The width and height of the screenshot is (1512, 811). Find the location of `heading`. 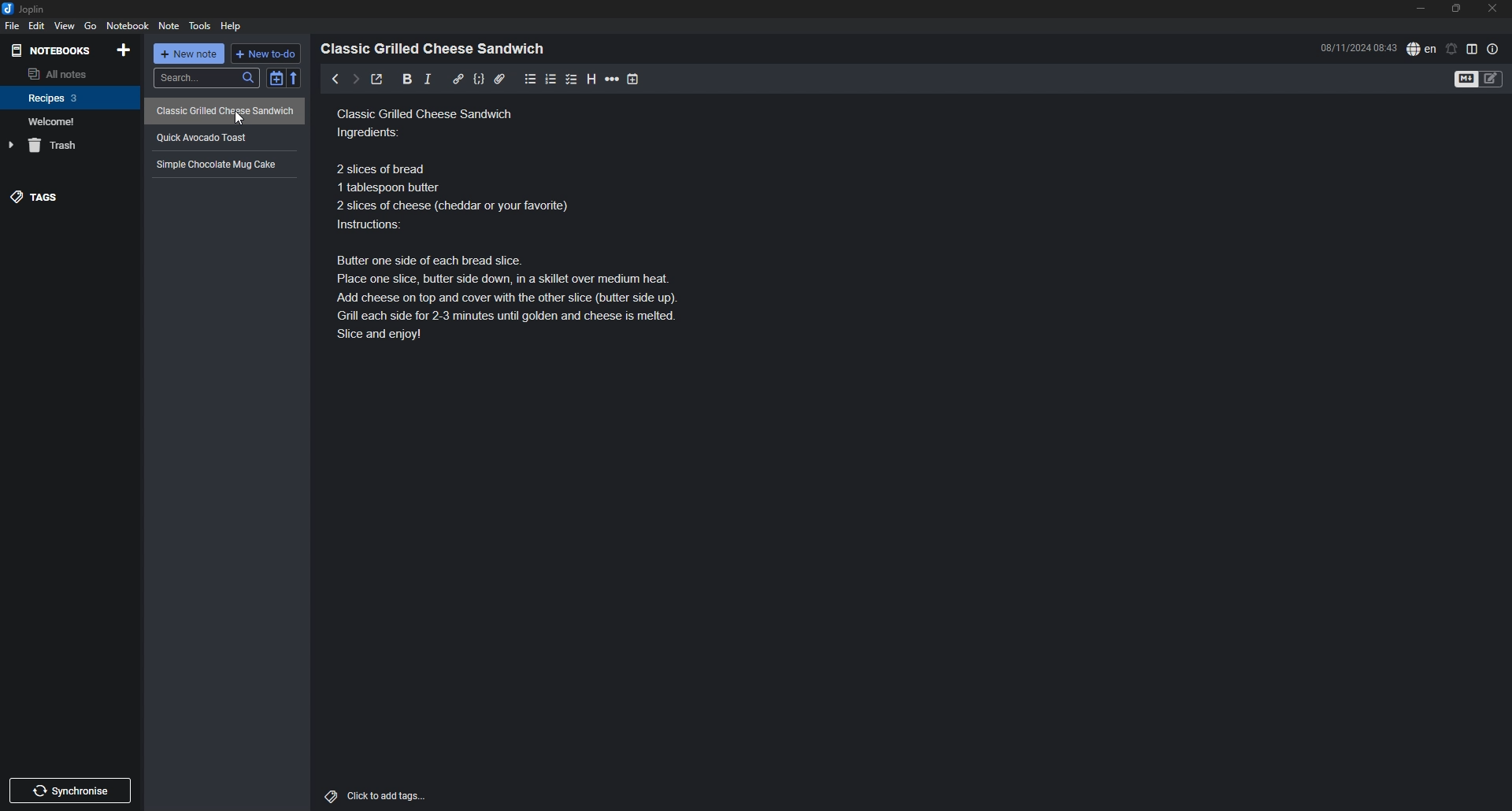

heading is located at coordinates (591, 79).